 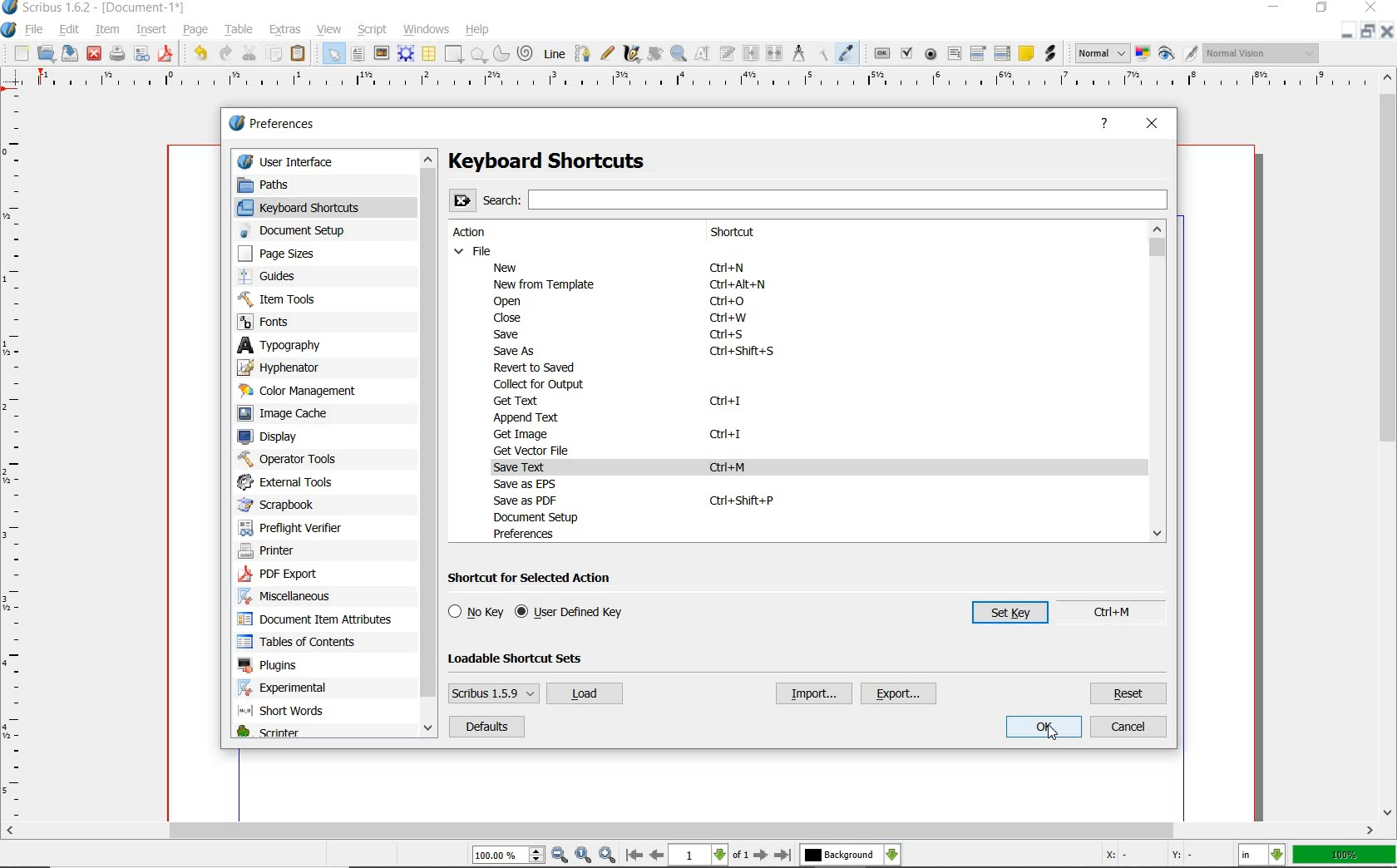 What do you see at coordinates (1369, 31) in the screenshot?
I see `minimize` at bounding box center [1369, 31].